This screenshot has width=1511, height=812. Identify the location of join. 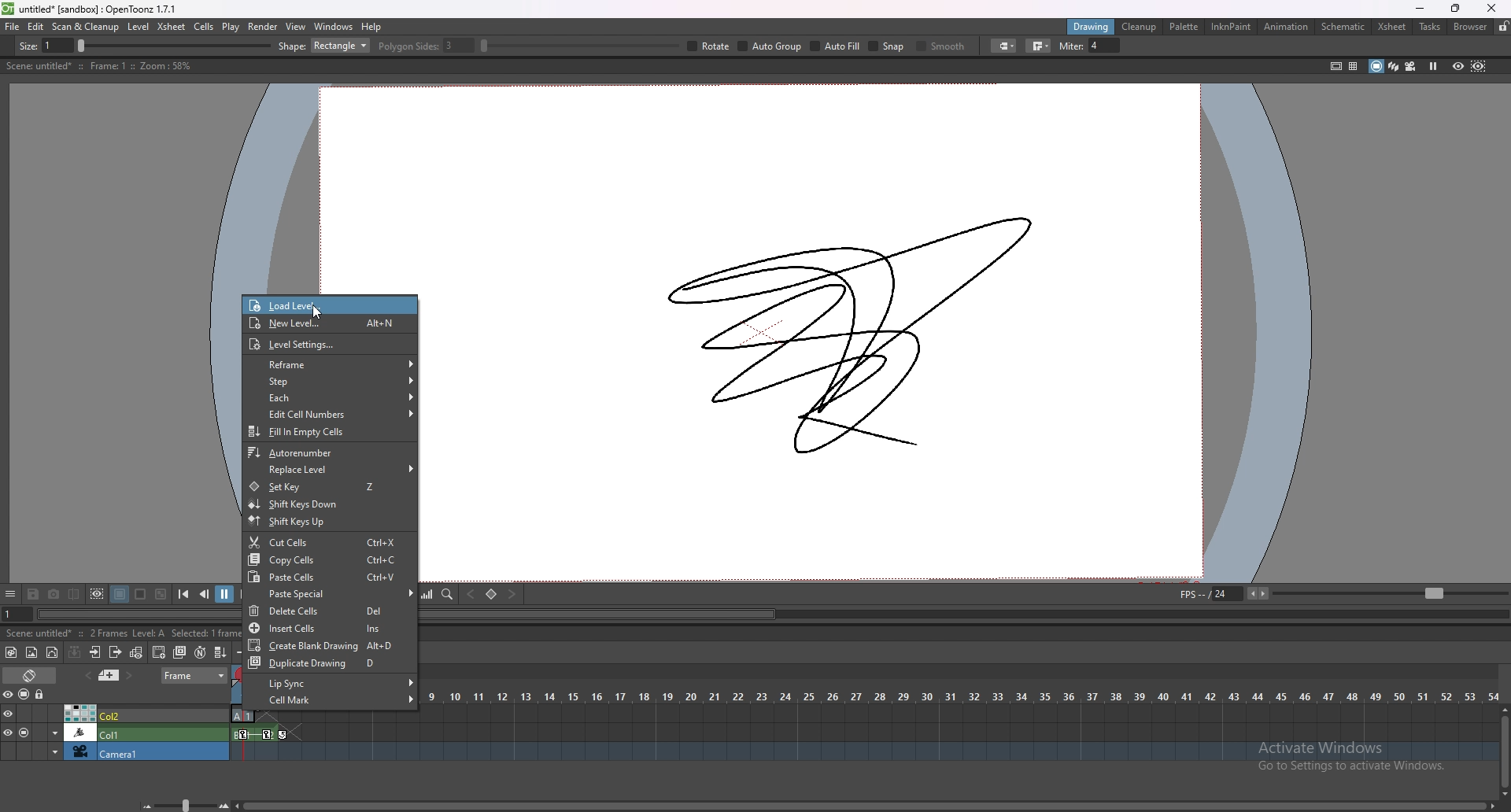
(1315, 46).